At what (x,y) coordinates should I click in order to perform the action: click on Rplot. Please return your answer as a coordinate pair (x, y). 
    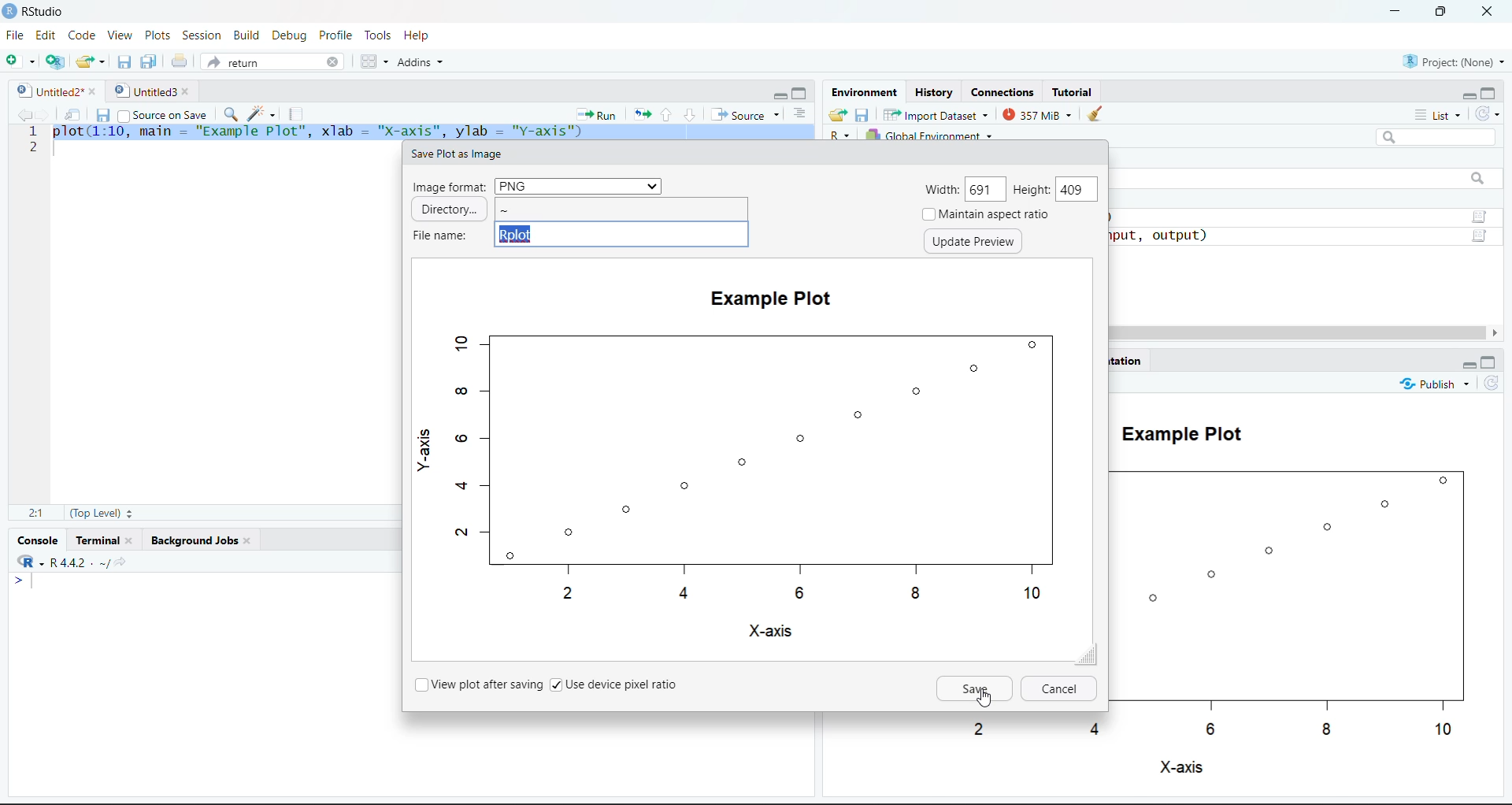
    Looking at the image, I should click on (622, 234).